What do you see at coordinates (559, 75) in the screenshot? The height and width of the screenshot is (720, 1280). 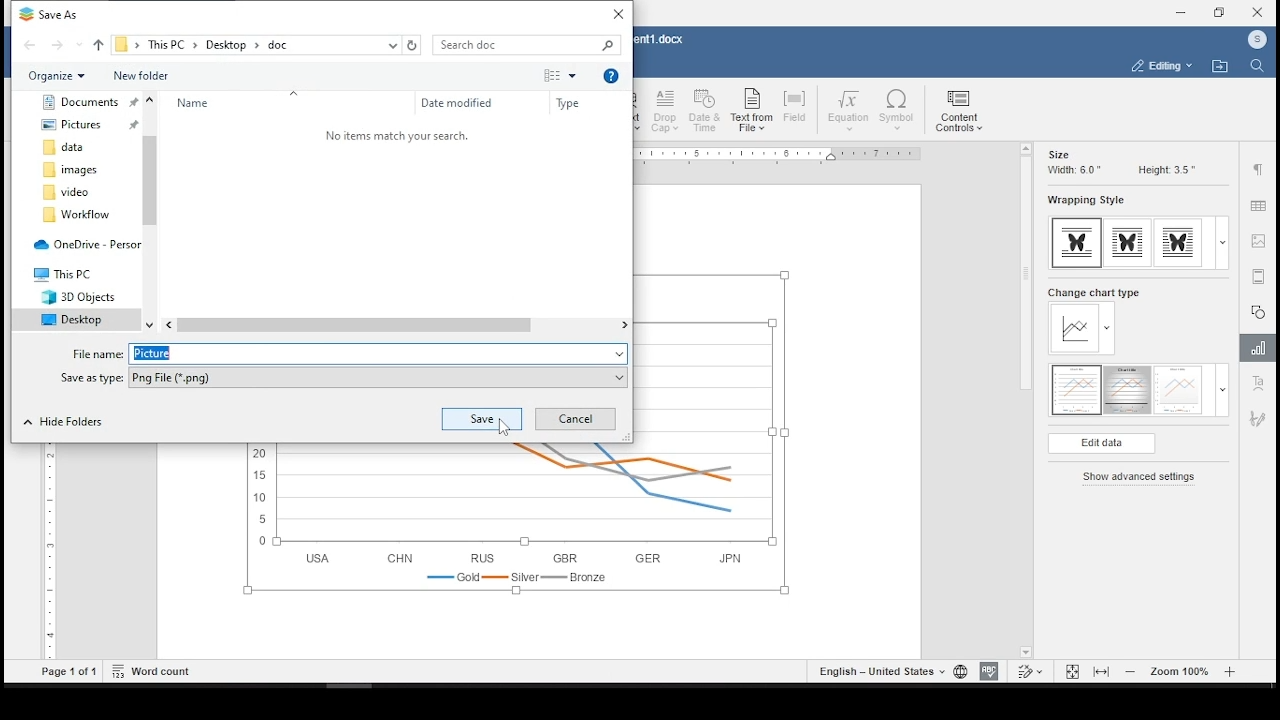 I see `select view` at bounding box center [559, 75].